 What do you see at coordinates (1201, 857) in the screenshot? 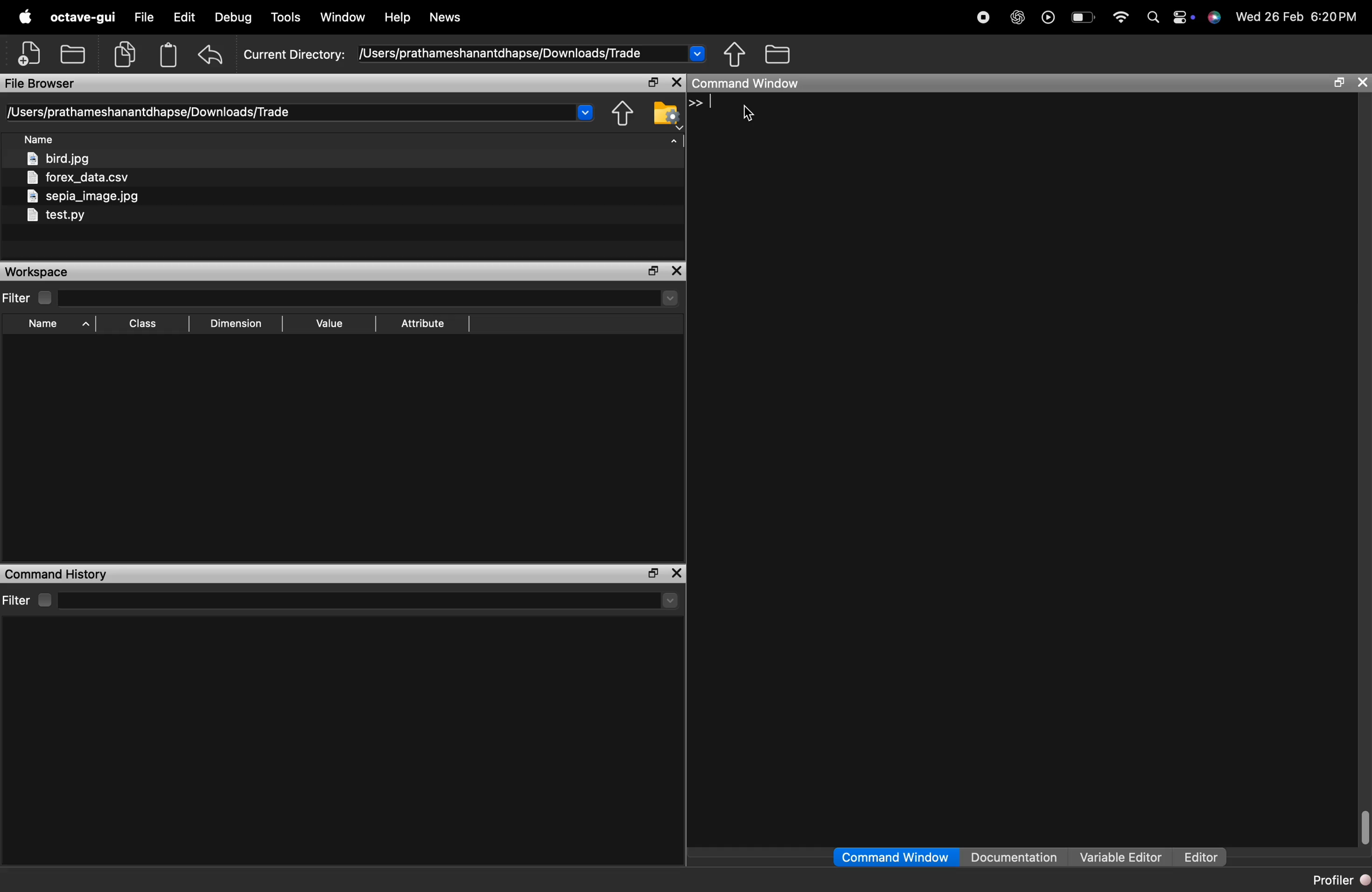
I see `Editor` at bounding box center [1201, 857].